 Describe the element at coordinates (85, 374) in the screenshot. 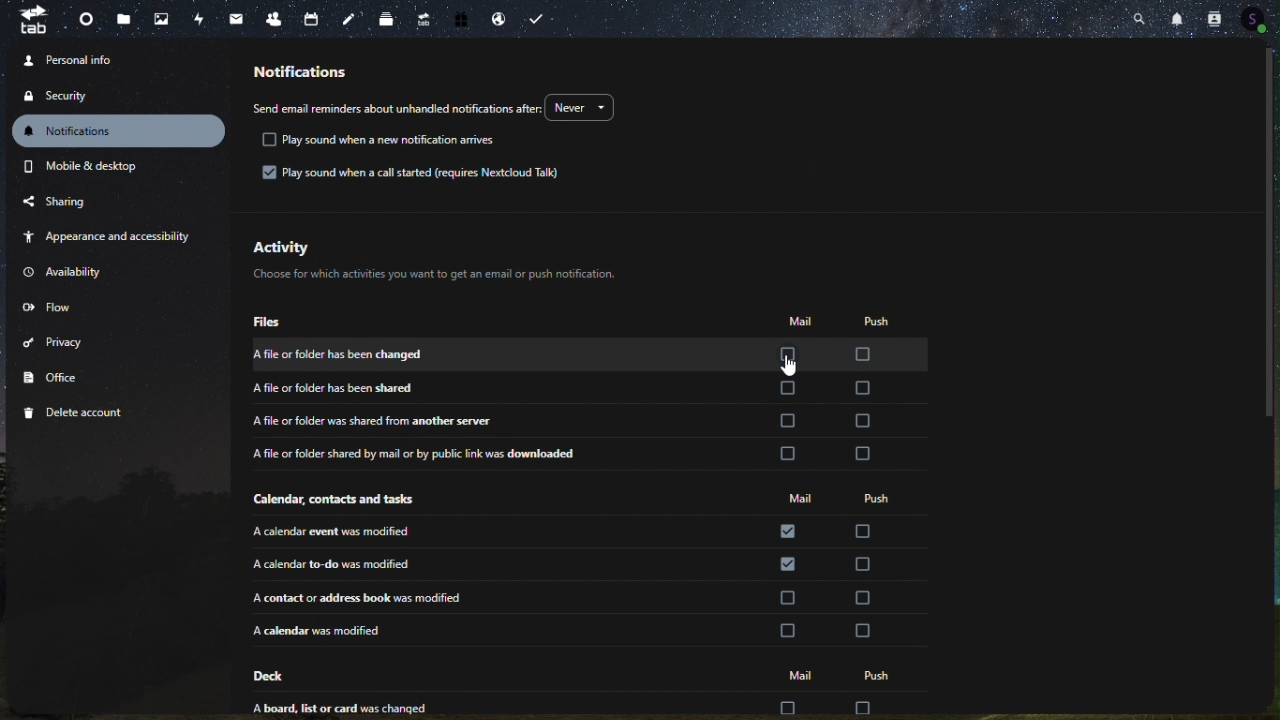

I see `office` at that location.